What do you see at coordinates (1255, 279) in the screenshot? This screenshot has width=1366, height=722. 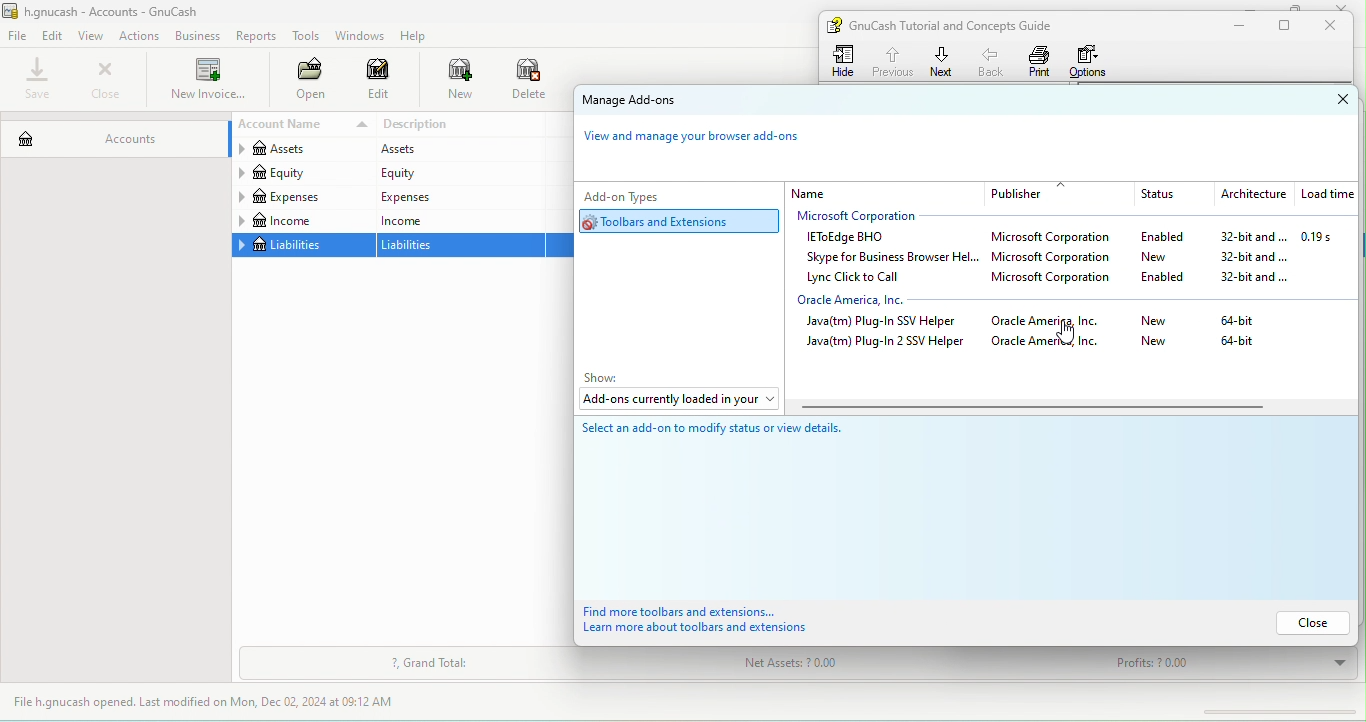 I see `32 bit and` at bounding box center [1255, 279].